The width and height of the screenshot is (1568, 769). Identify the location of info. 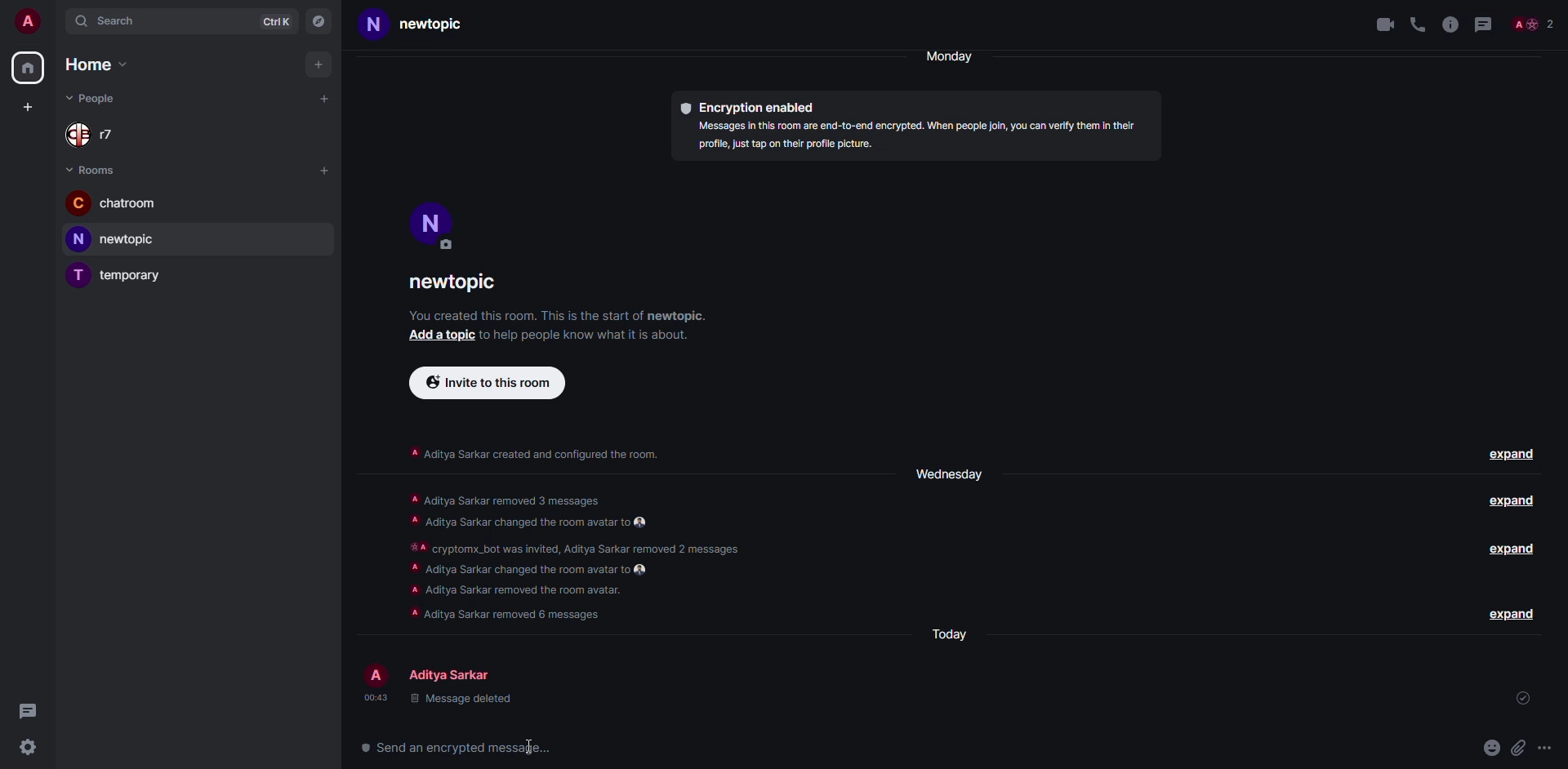
(557, 315).